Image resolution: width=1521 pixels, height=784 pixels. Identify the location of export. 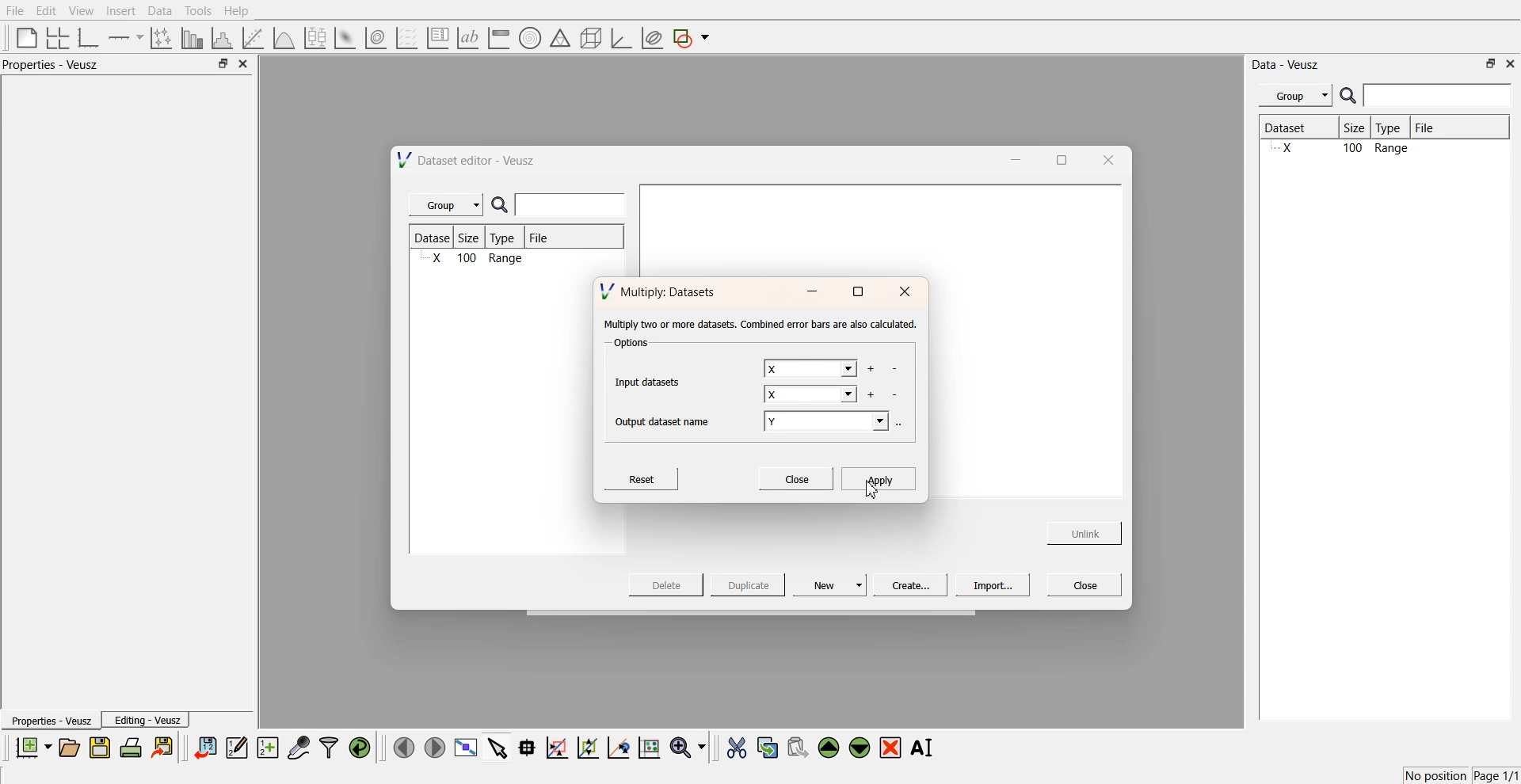
(164, 747).